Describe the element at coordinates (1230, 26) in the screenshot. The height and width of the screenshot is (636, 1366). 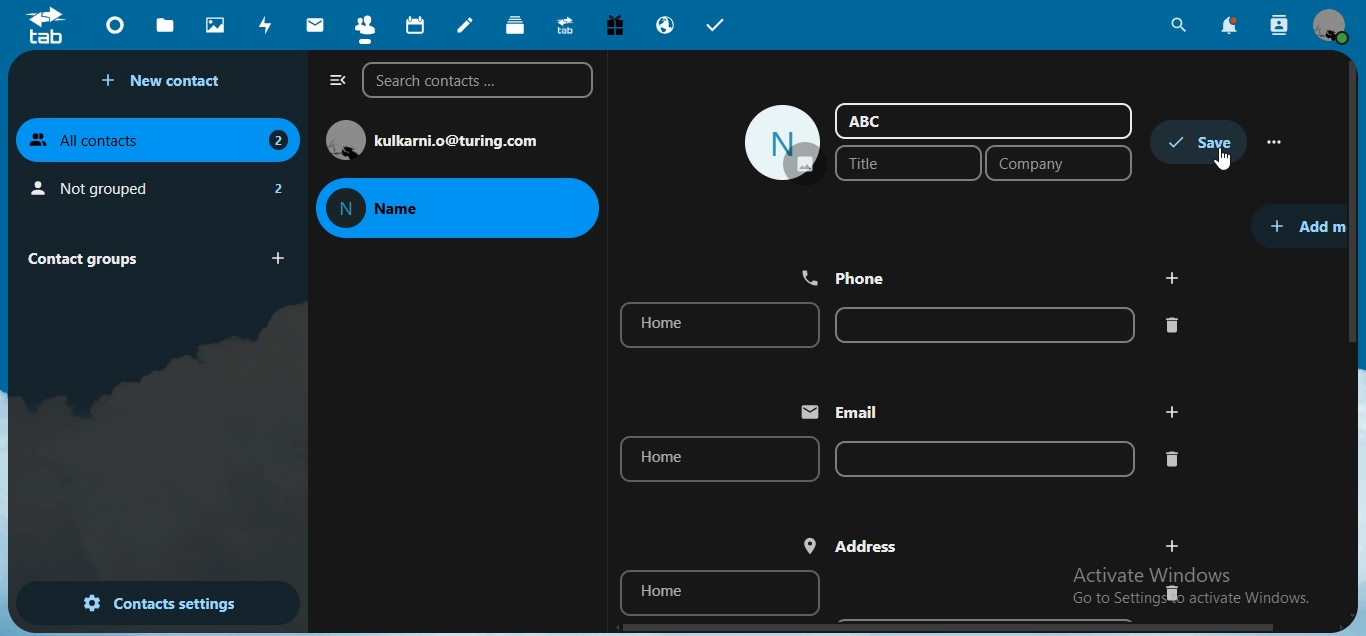
I see `notifications` at that location.